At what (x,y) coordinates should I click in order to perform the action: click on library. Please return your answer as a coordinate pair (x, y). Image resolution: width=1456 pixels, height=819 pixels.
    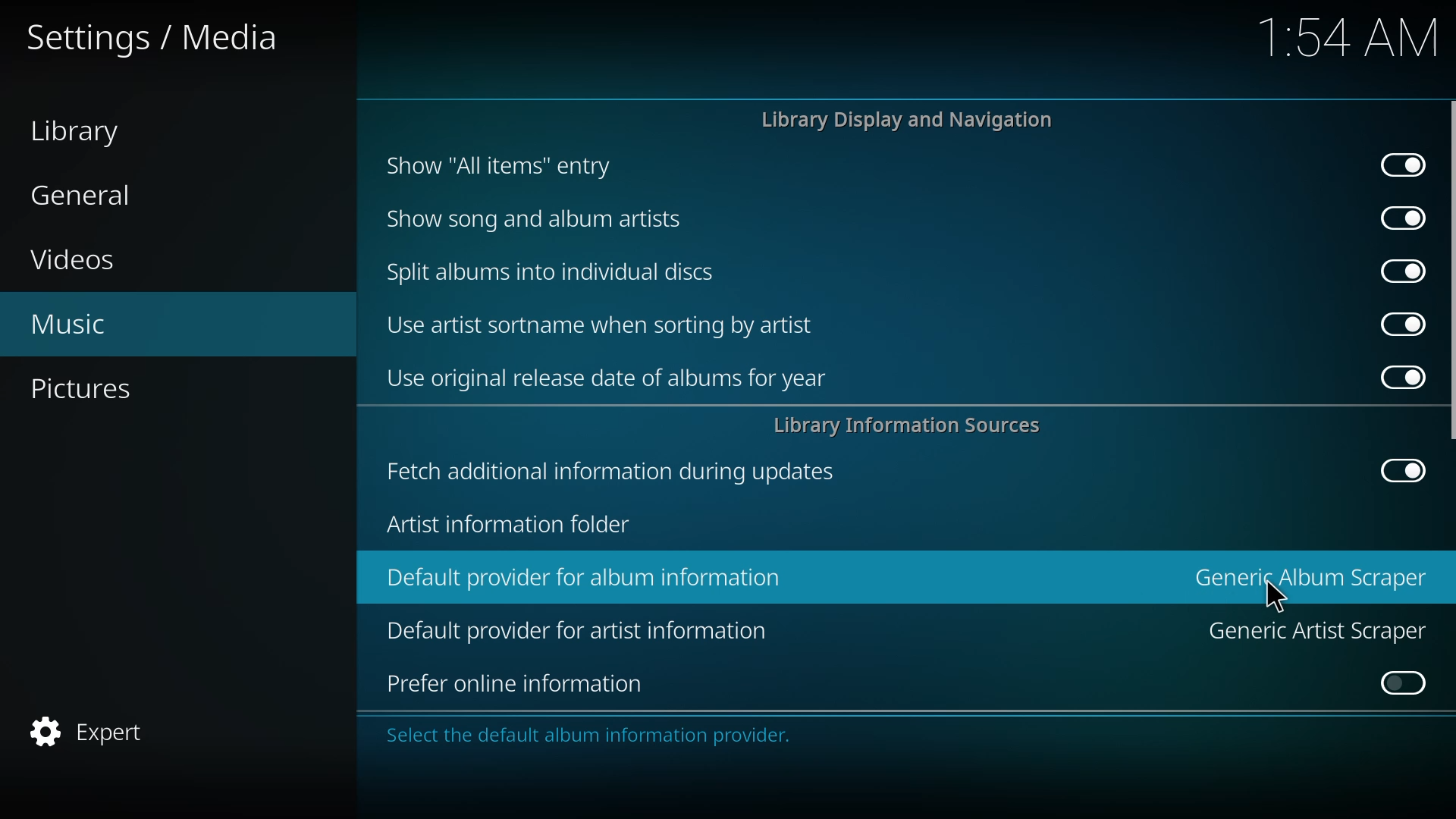
    Looking at the image, I should click on (82, 132).